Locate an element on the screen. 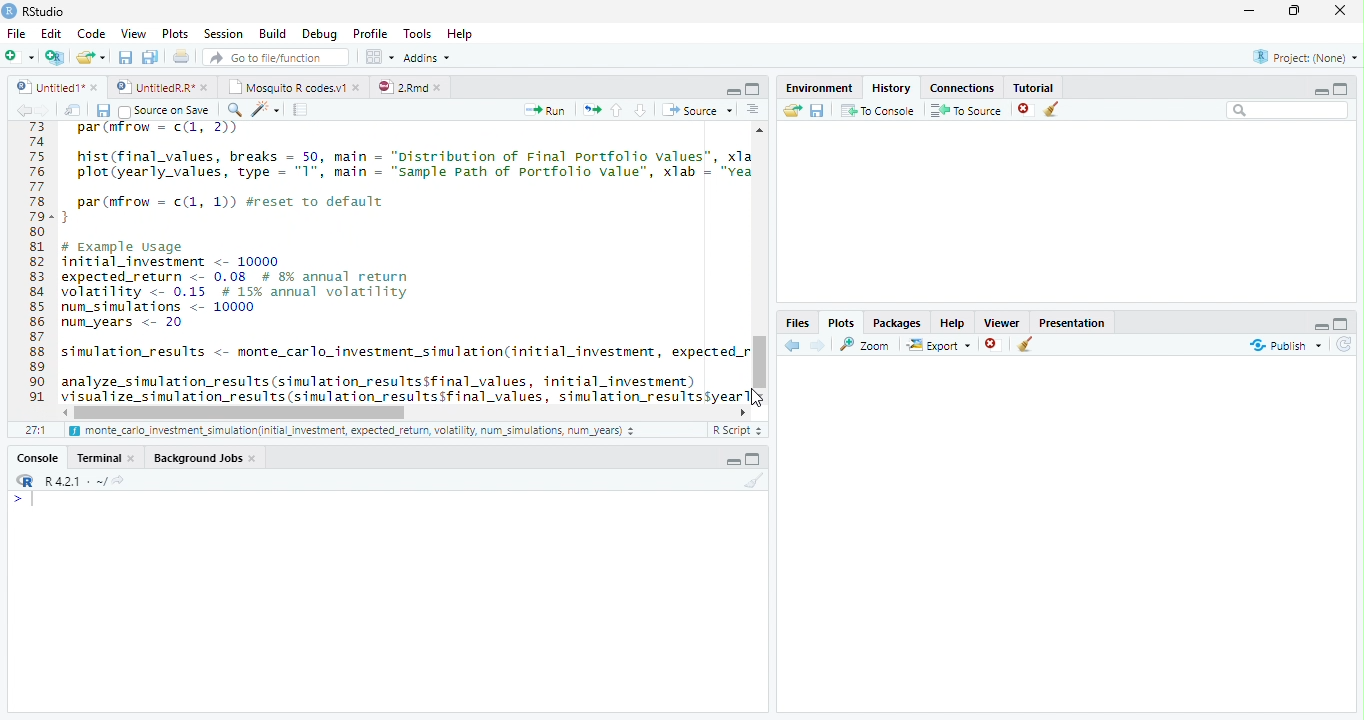 The width and height of the screenshot is (1364, 720). Export is located at coordinates (937, 345).